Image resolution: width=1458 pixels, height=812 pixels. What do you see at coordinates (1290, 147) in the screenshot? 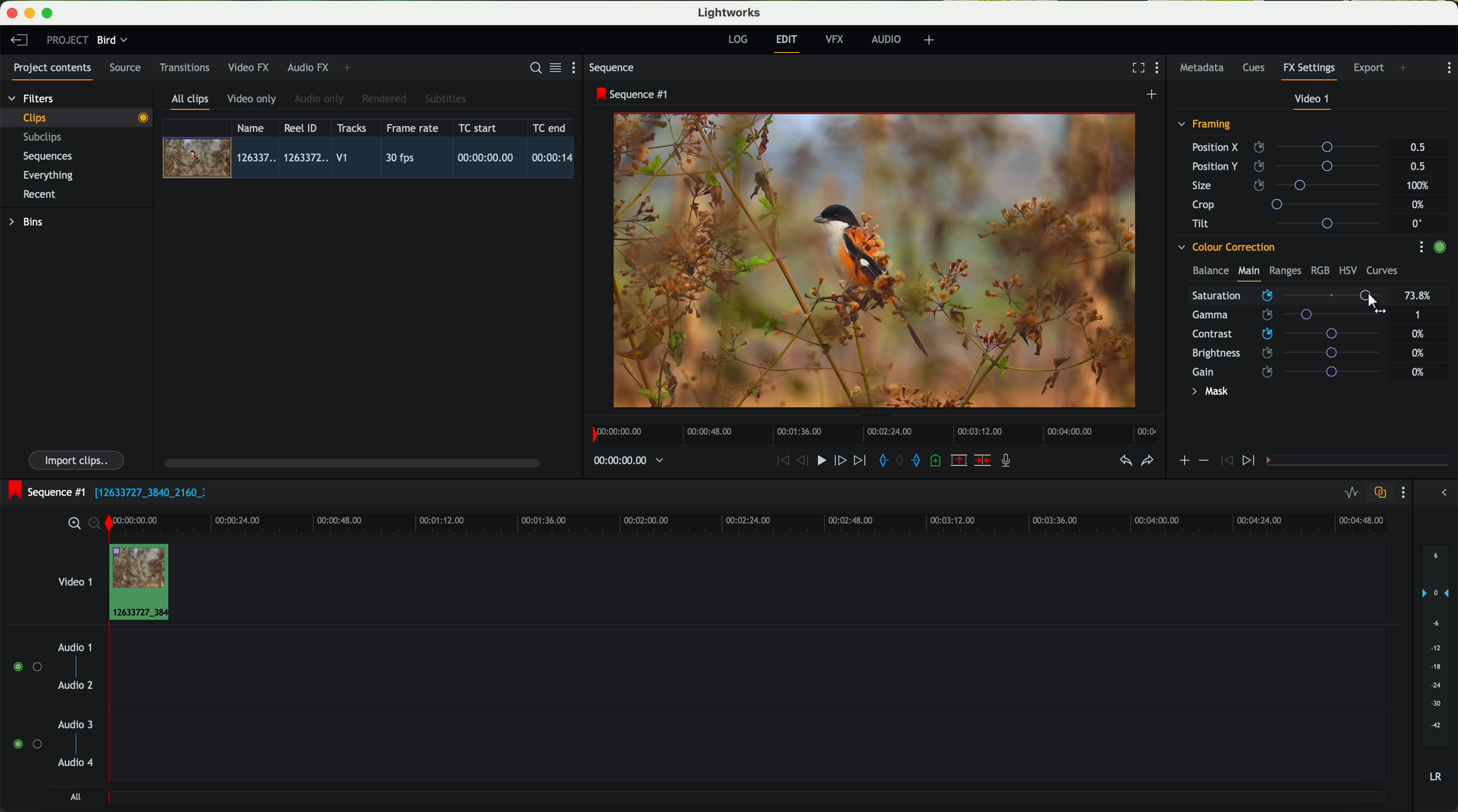
I see `position X` at bounding box center [1290, 147].